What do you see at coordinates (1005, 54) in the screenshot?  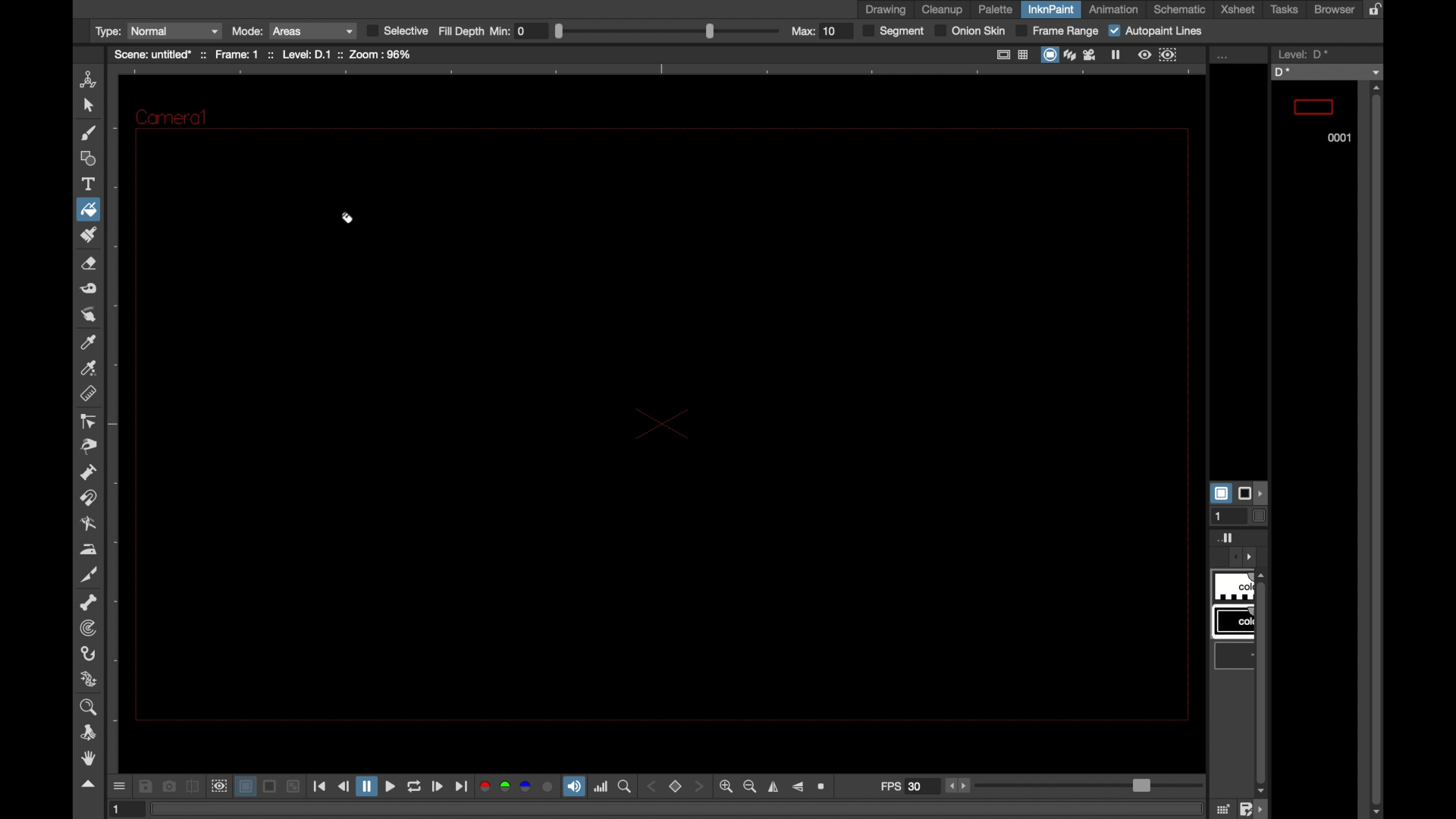 I see `fullscreen` at bounding box center [1005, 54].